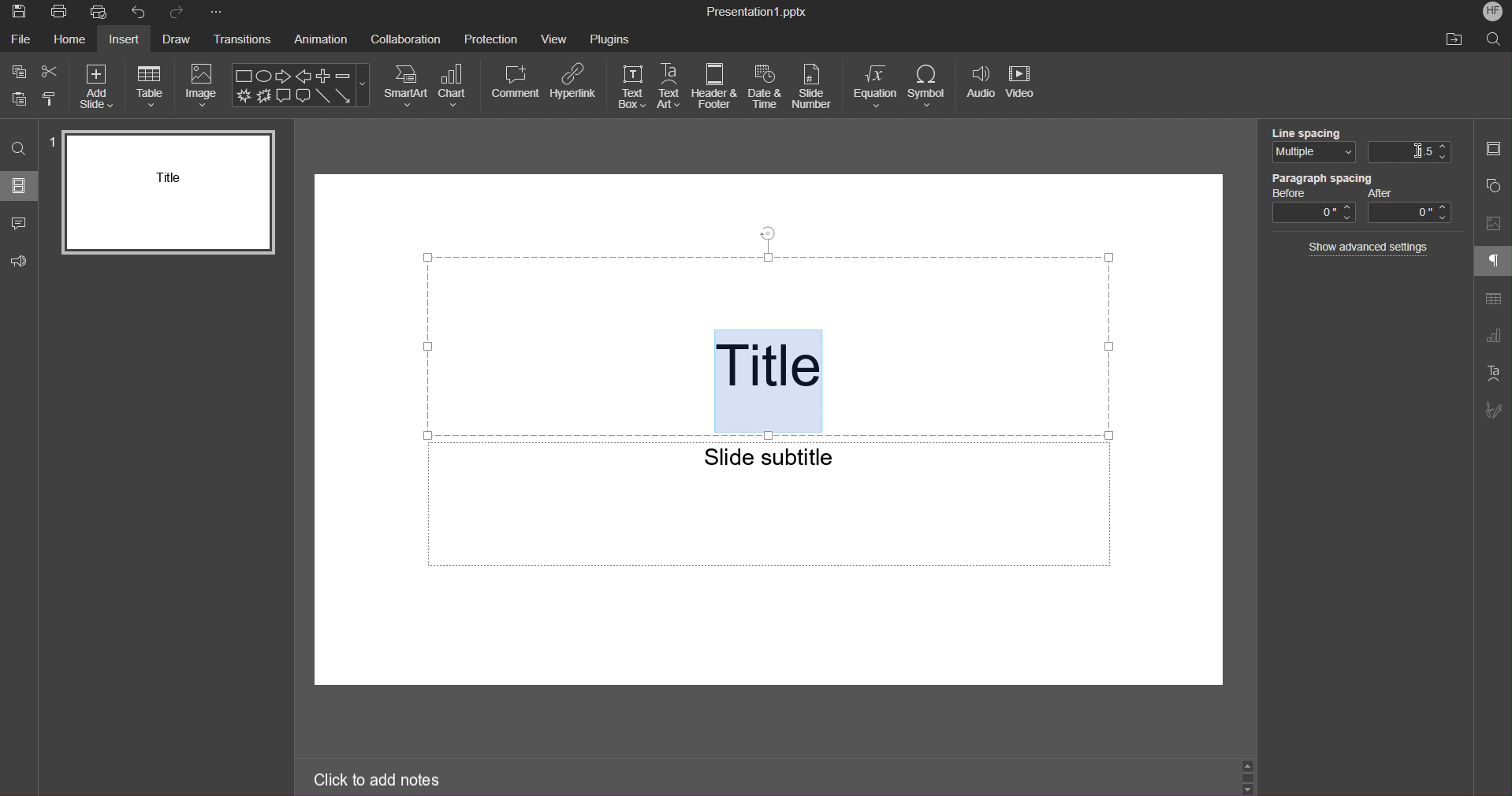 The width and height of the screenshot is (1512, 796). I want to click on Collaboration, so click(409, 42).